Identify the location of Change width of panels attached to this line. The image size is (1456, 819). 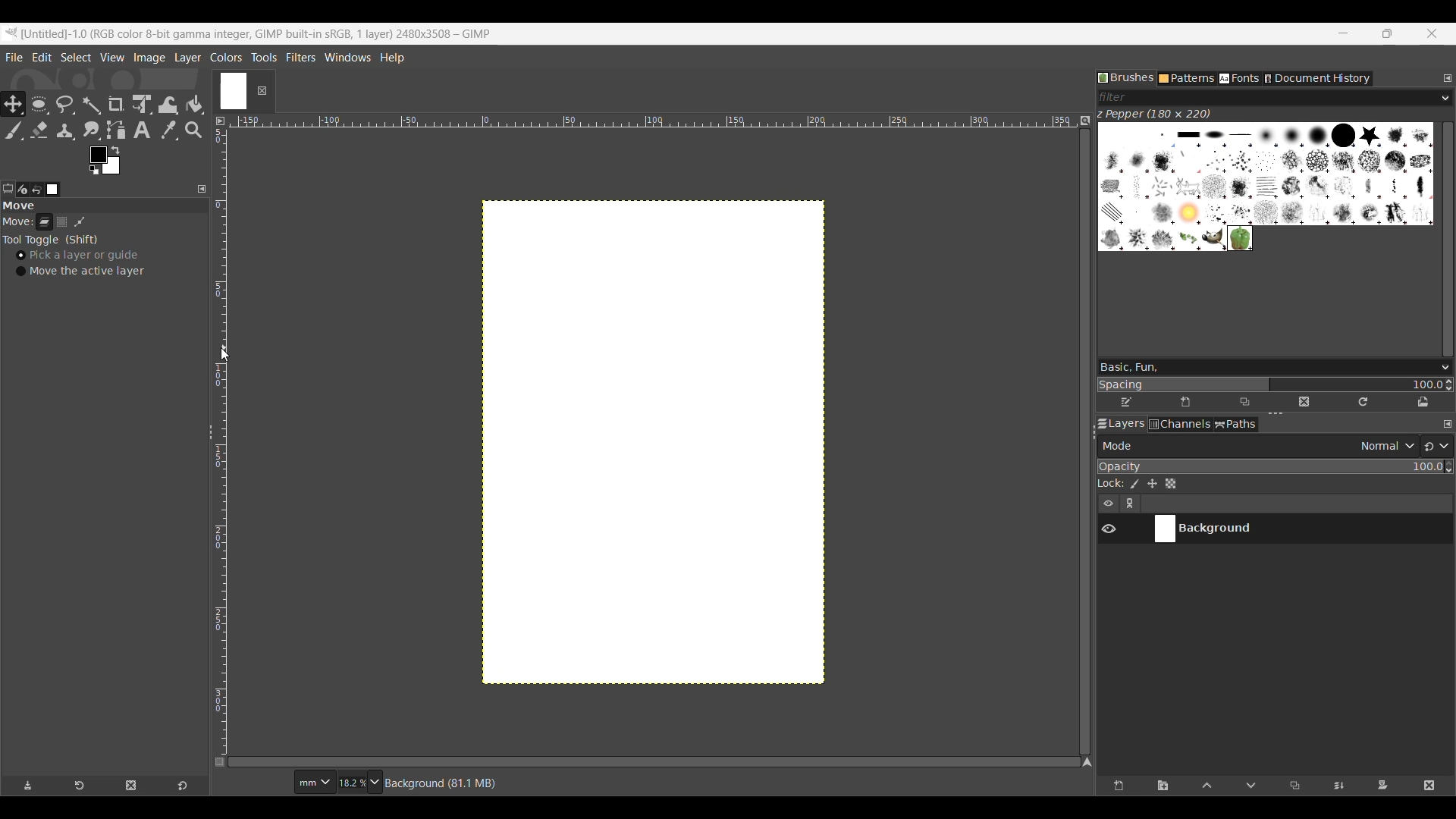
(1079, 437).